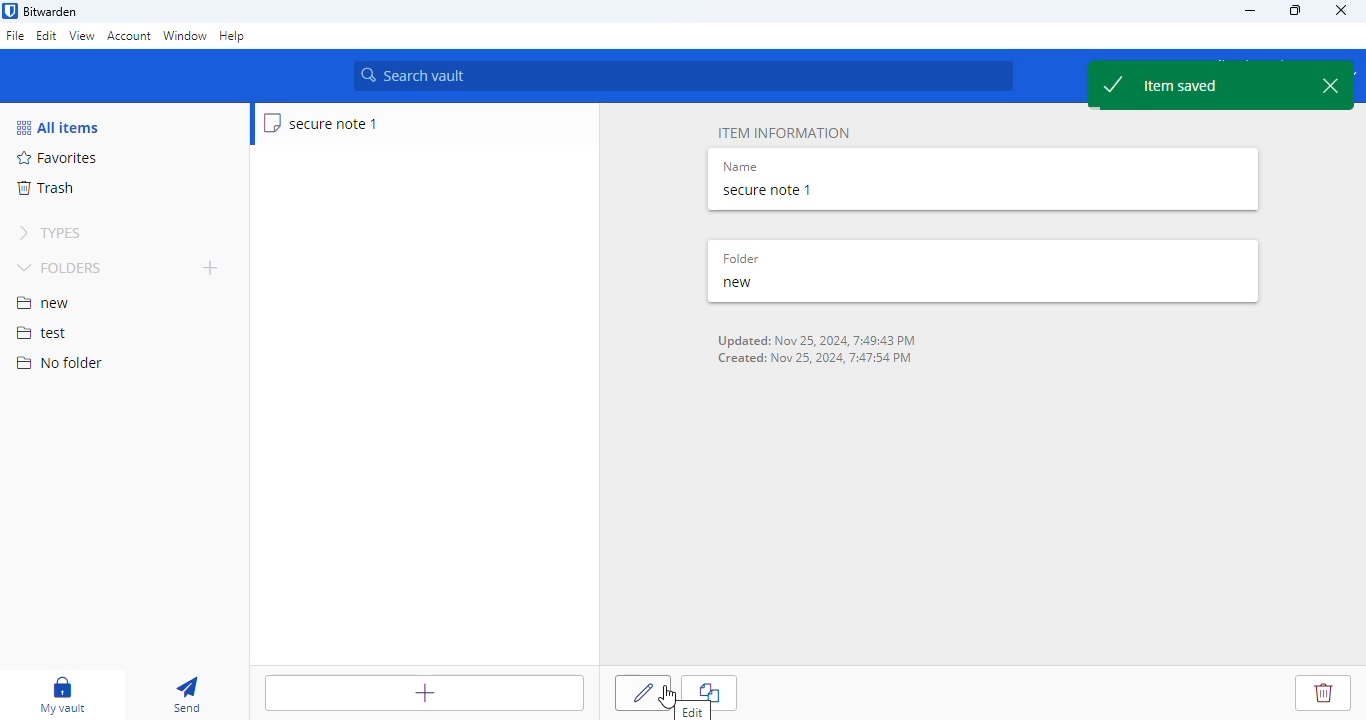 This screenshot has width=1366, height=720. I want to click on item saved, so click(1221, 85).